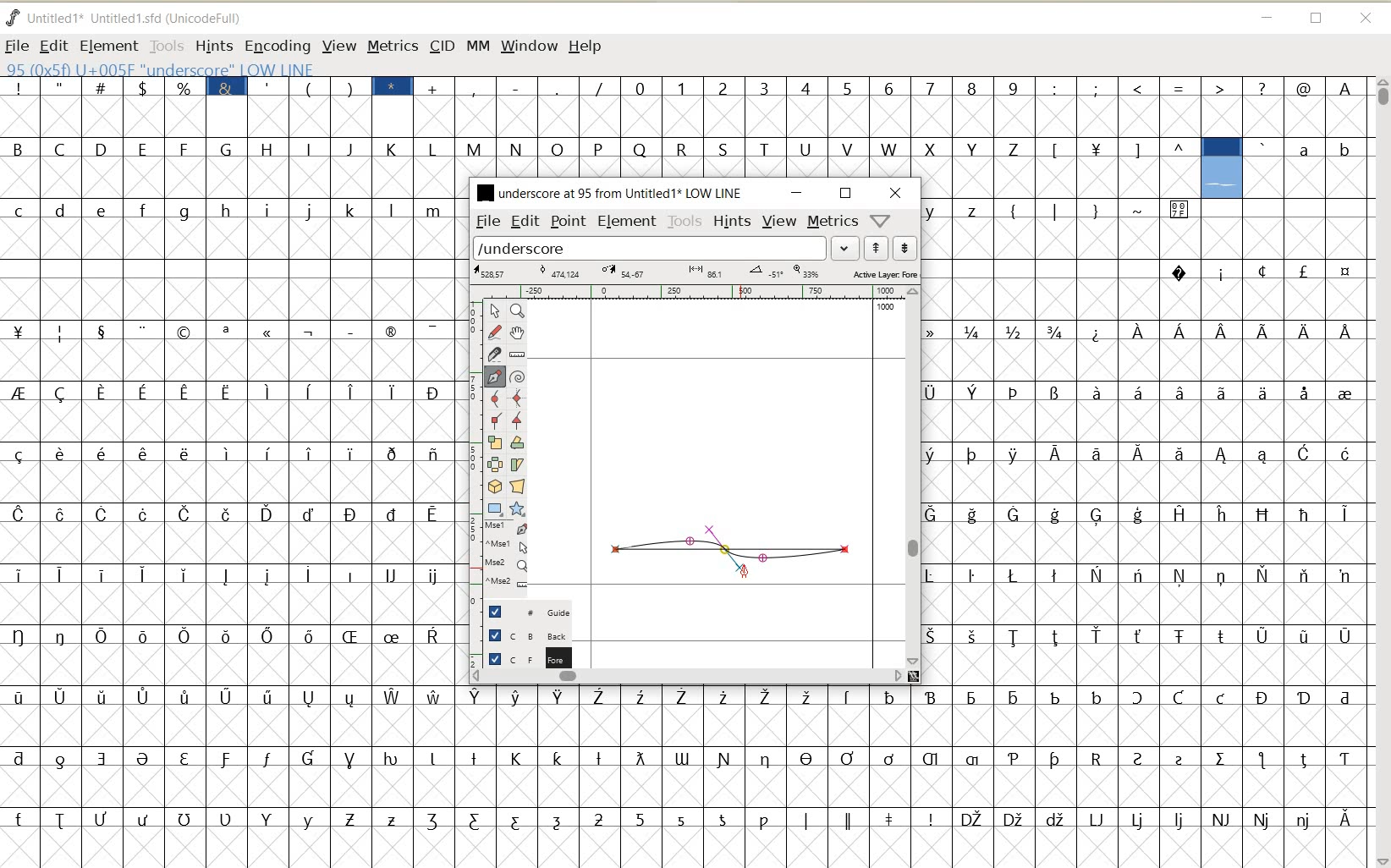 The width and height of the screenshot is (1391, 868). What do you see at coordinates (522, 656) in the screenshot?
I see `FOREGROUND` at bounding box center [522, 656].